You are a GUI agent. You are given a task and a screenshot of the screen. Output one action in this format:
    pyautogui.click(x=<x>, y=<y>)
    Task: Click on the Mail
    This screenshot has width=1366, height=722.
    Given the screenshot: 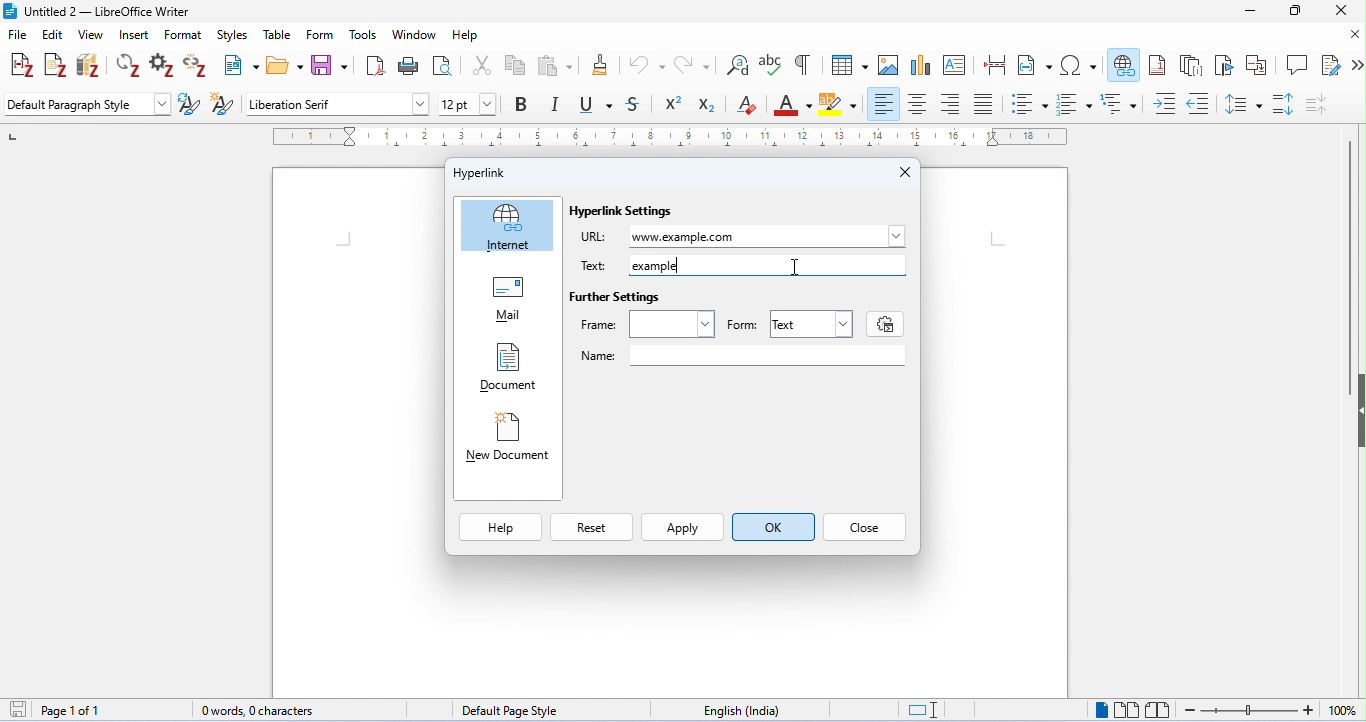 What is the action you would take?
    pyautogui.click(x=508, y=295)
    